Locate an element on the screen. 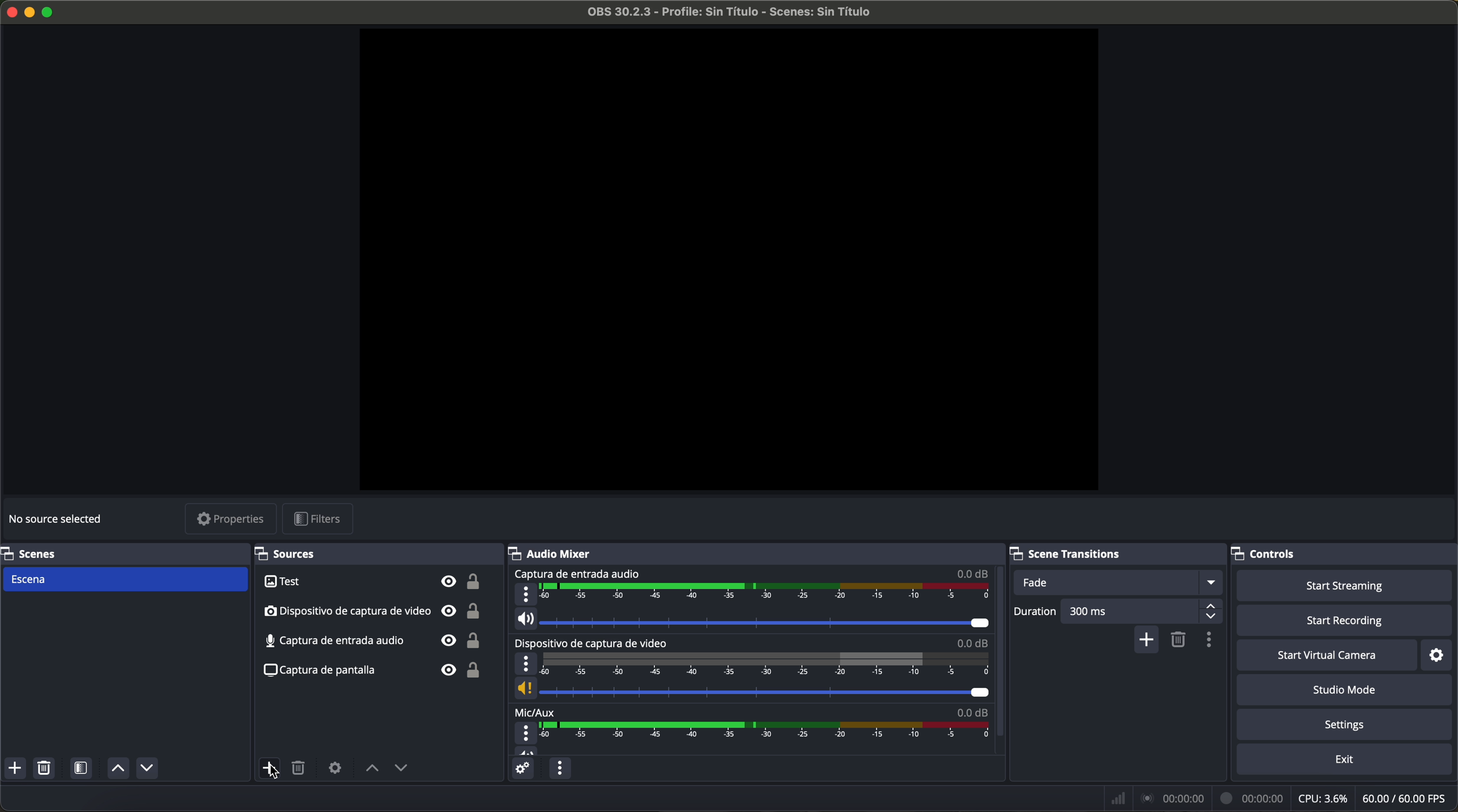  move sources up is located at coordinates (118, 768).